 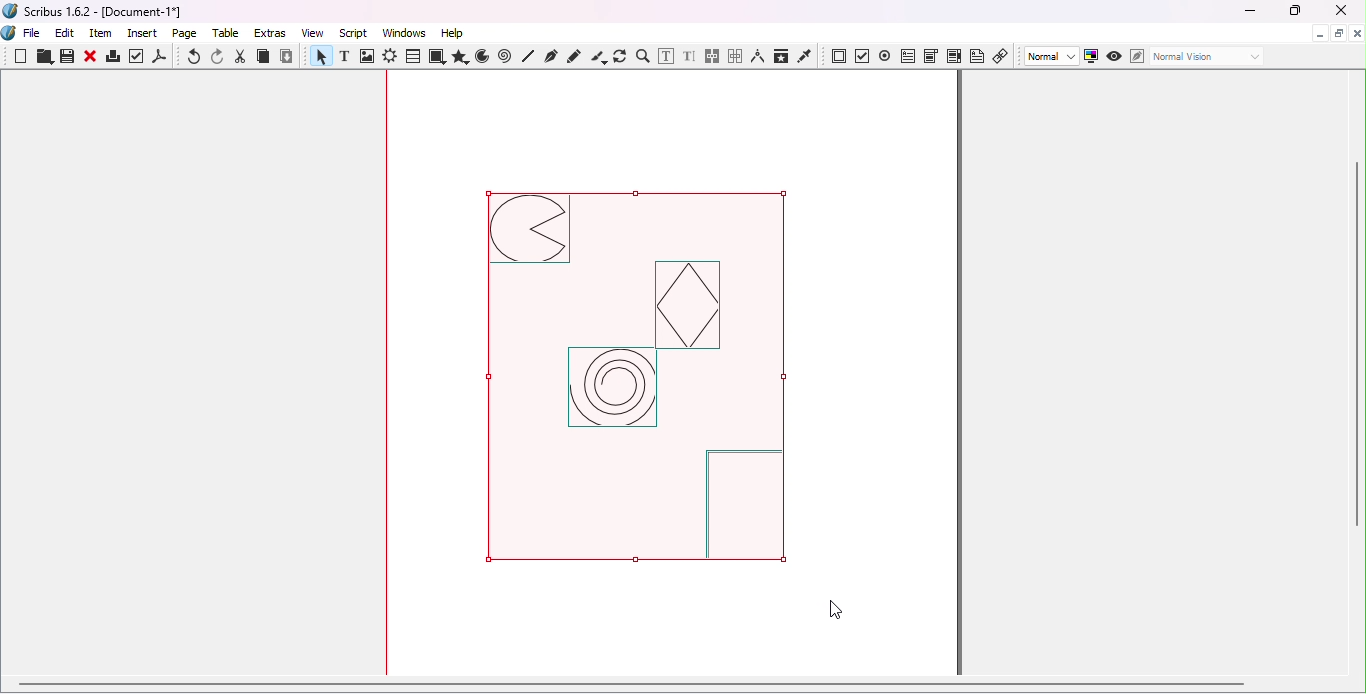 I want to click on Spiral, so click(x=507, y=57).